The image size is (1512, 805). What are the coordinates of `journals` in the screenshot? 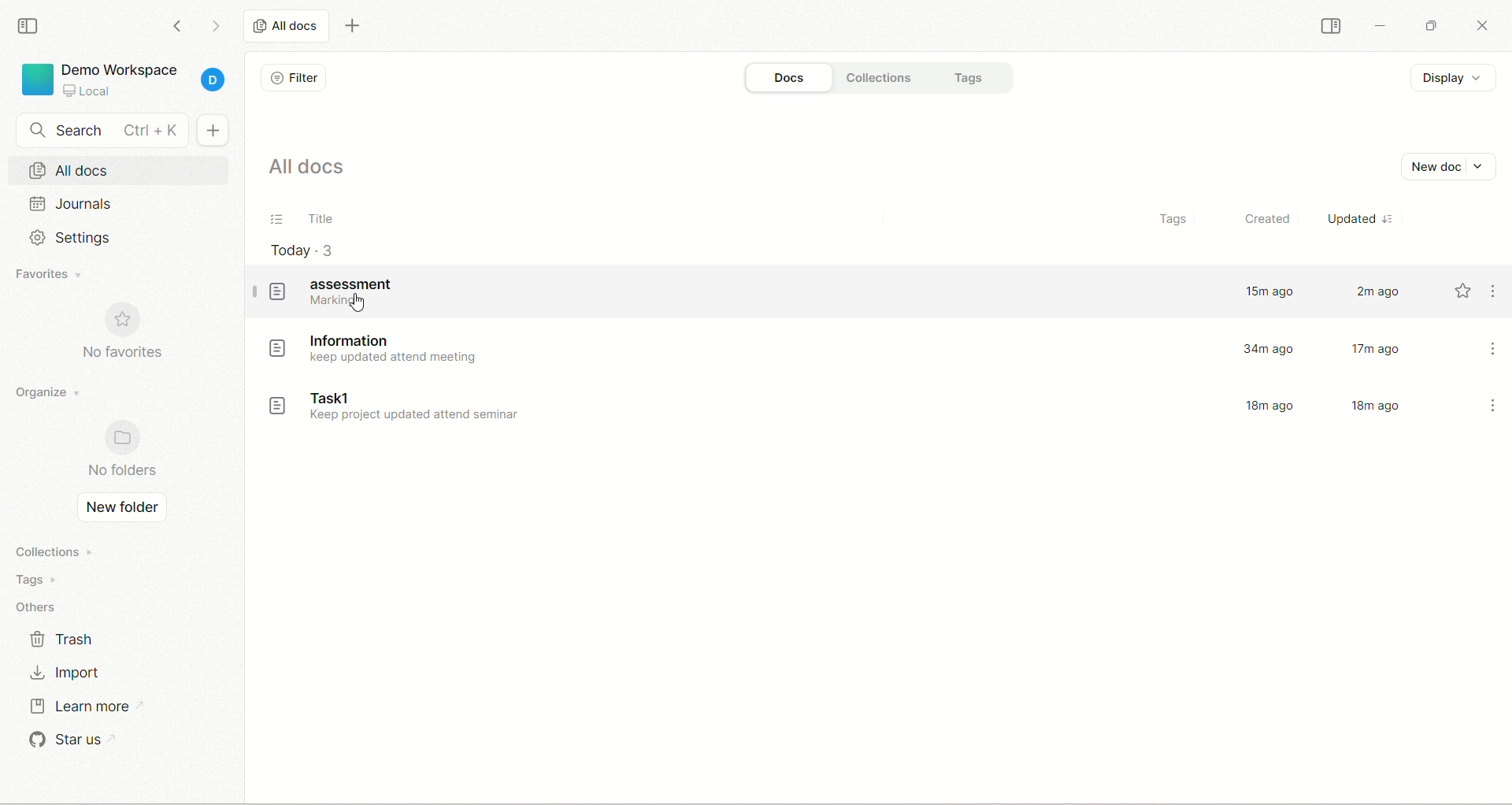 It's located at (72, 202).